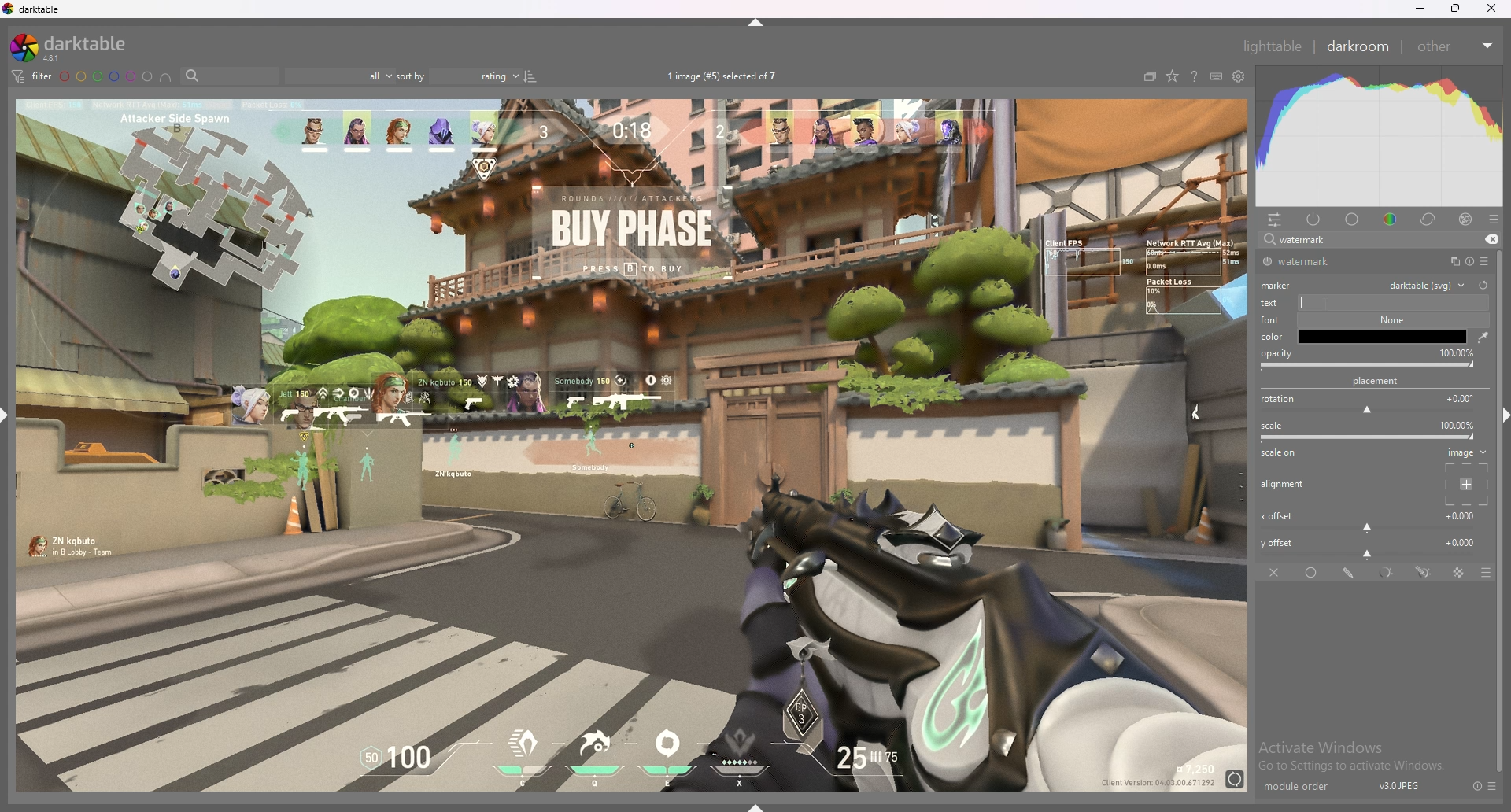 This screenshot has height=812, width=1511. Describe the element at coordinates (1283, 454) in the screenshot. I see `scale on` at that location.